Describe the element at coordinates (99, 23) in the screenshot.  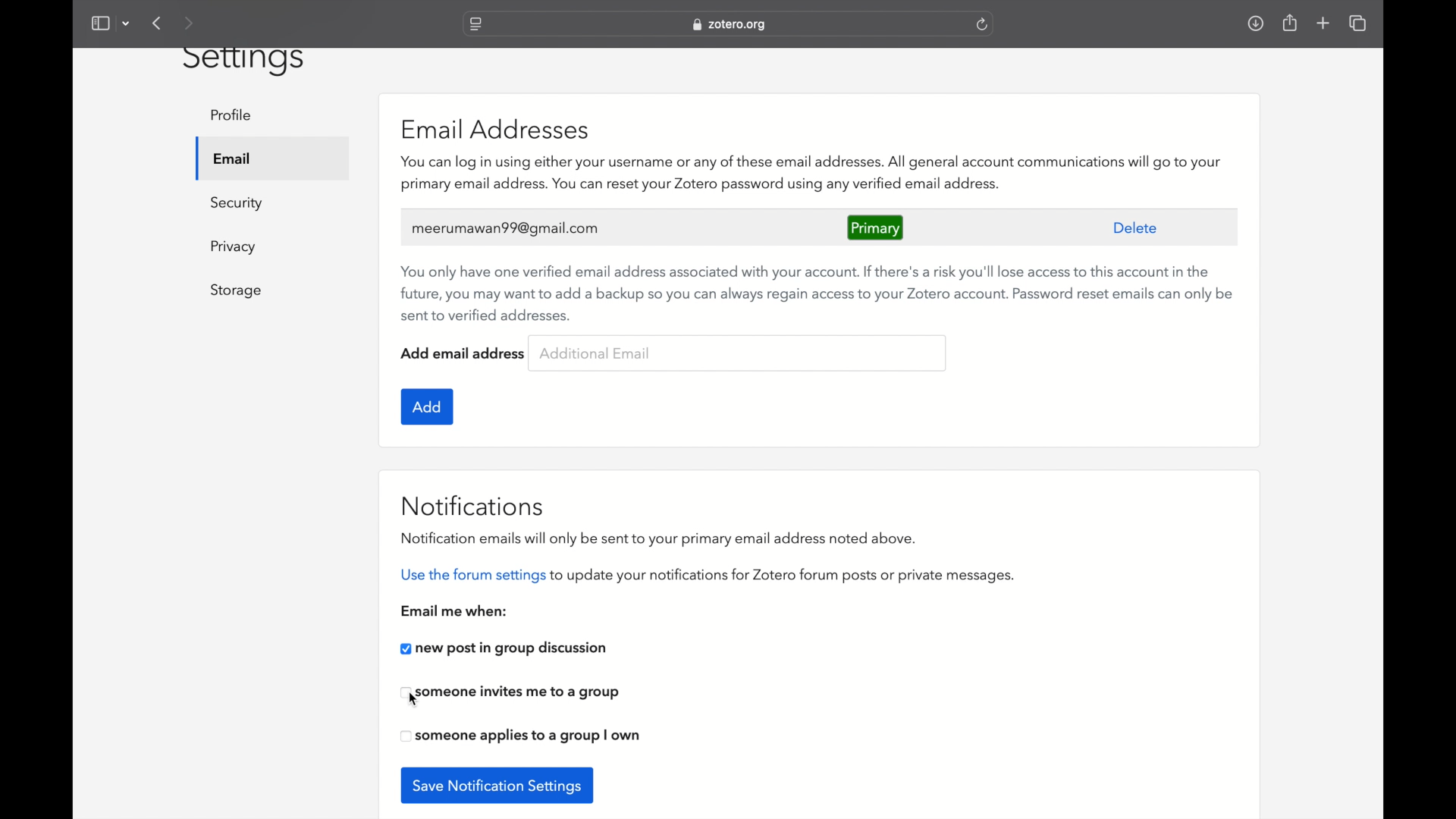
I see `show sidebar` at that location.